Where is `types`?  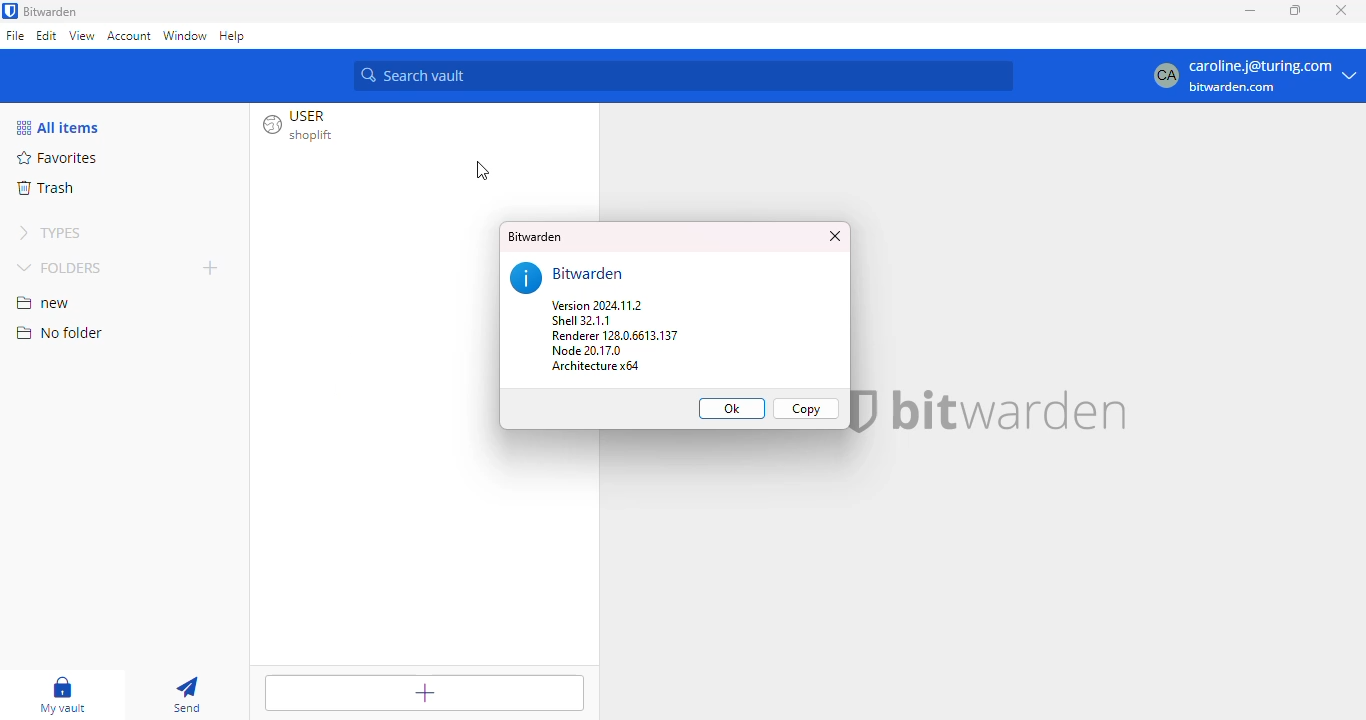
types is located at coordinates (49, 232).